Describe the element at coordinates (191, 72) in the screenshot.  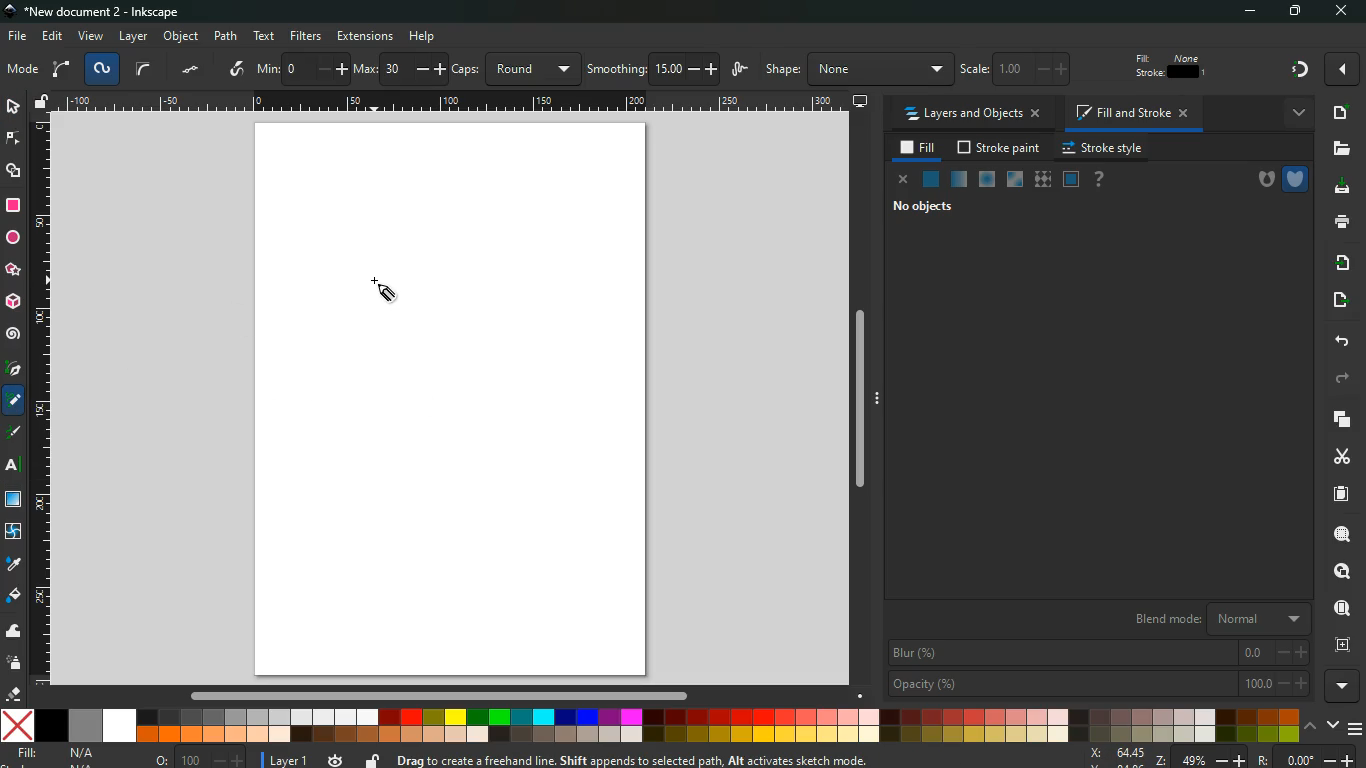
I see `dots` at that location.